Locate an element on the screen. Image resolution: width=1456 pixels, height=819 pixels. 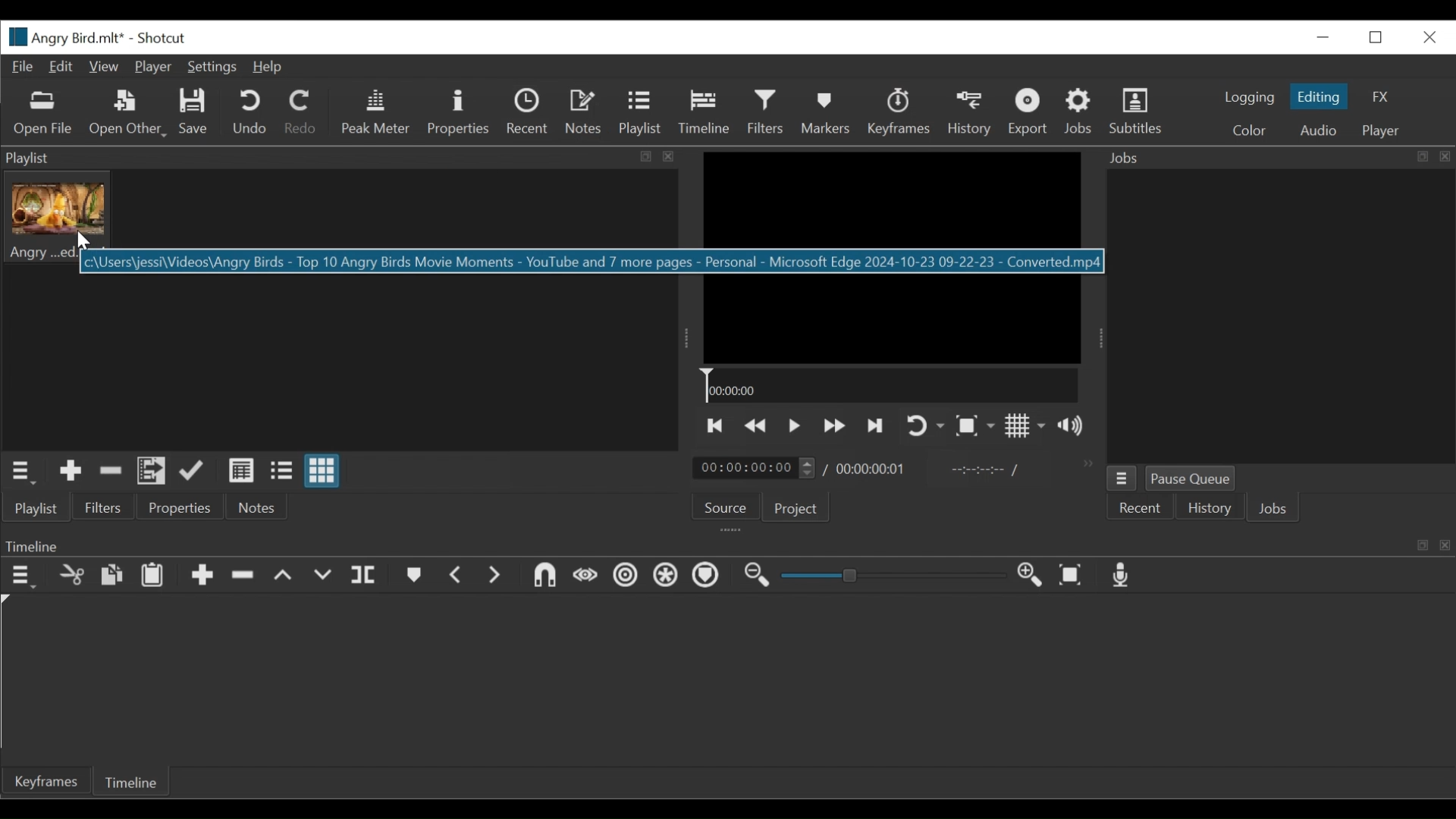
View as files is located at coordinates (283, 470).